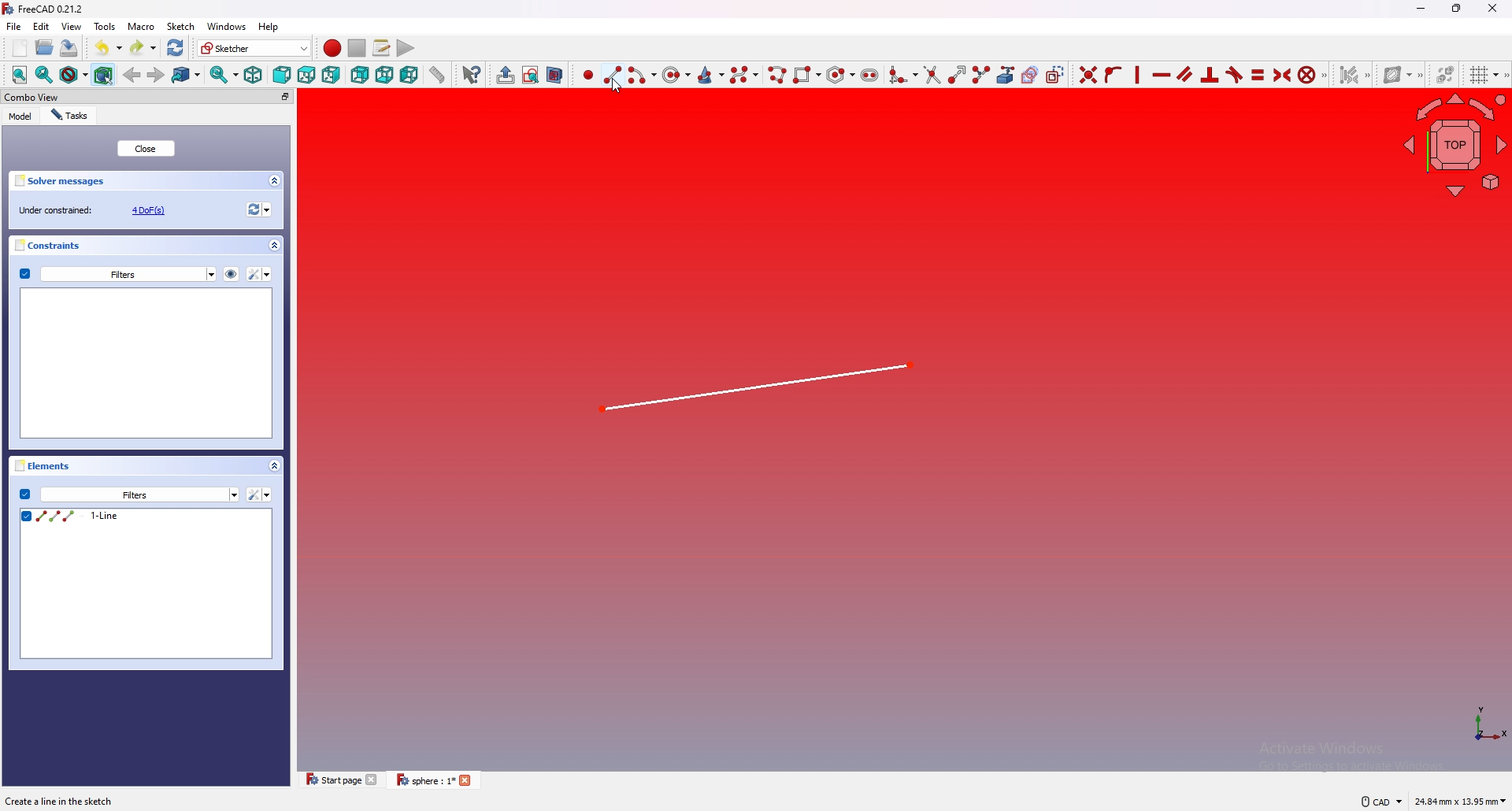 Image resolution: width=1512 pixels, height=811 pixels. I want to click on Tools, so click(106, 27).